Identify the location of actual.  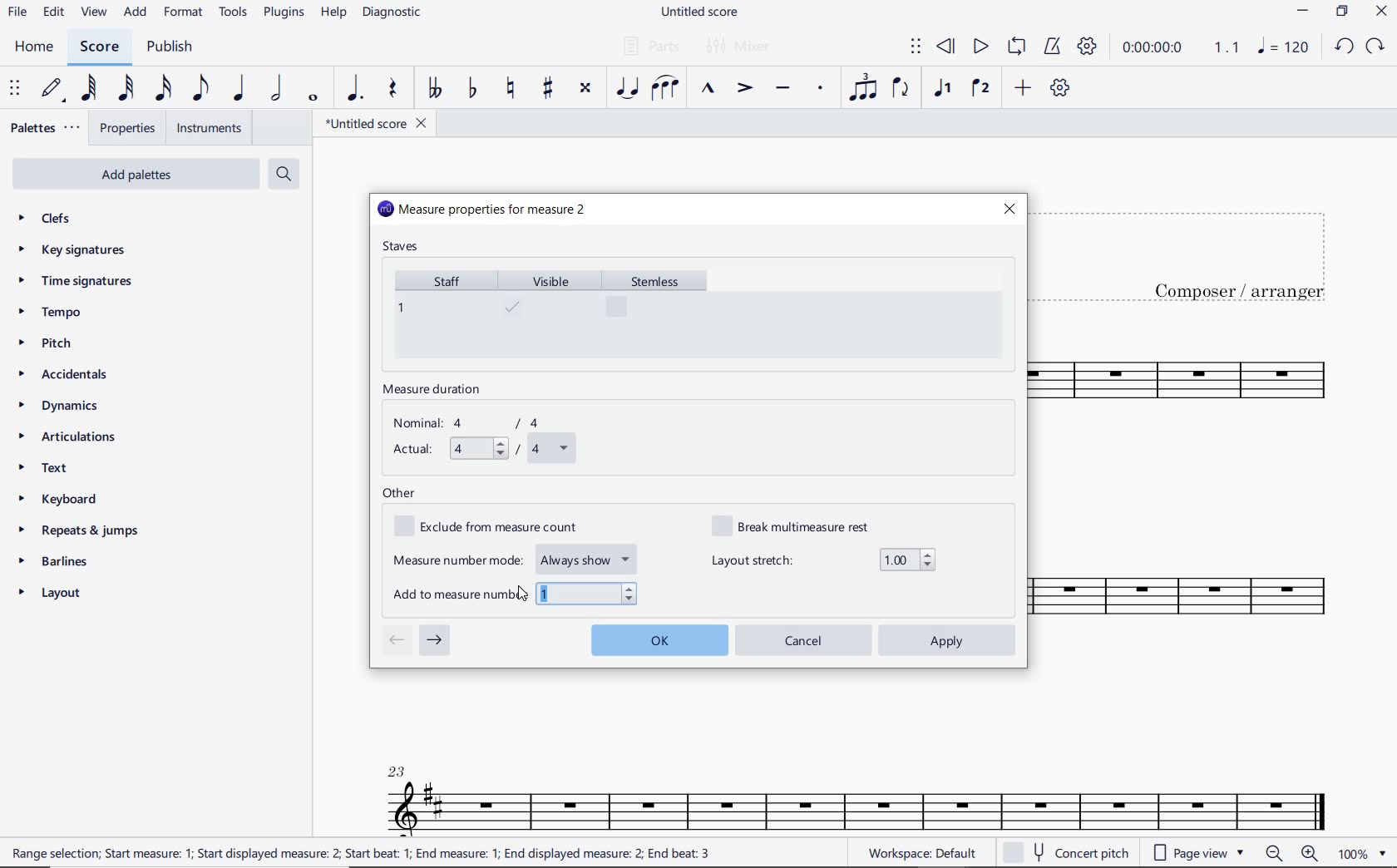
(481, 450).